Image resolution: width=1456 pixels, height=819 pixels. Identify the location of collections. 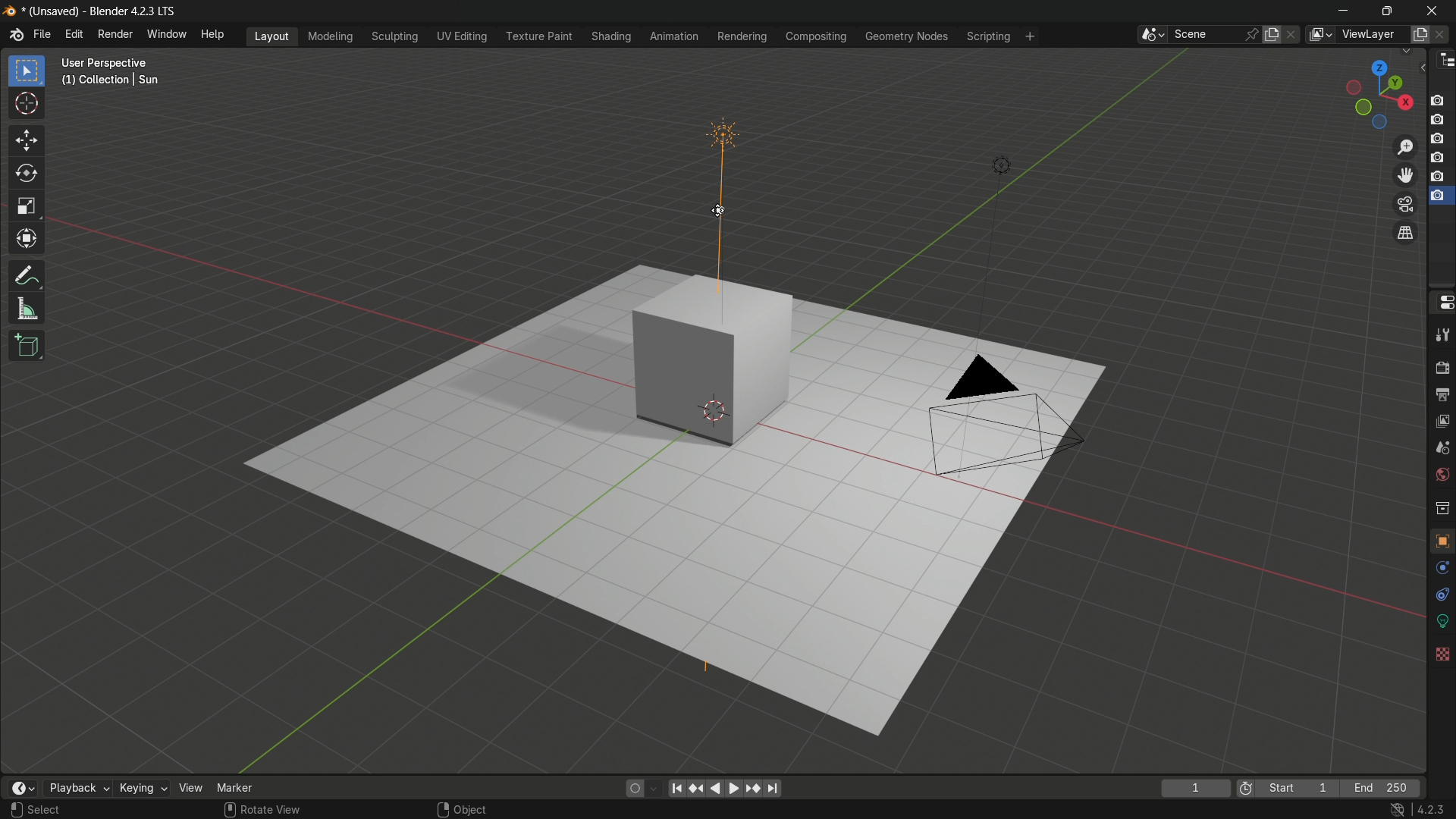
(1442, 507).